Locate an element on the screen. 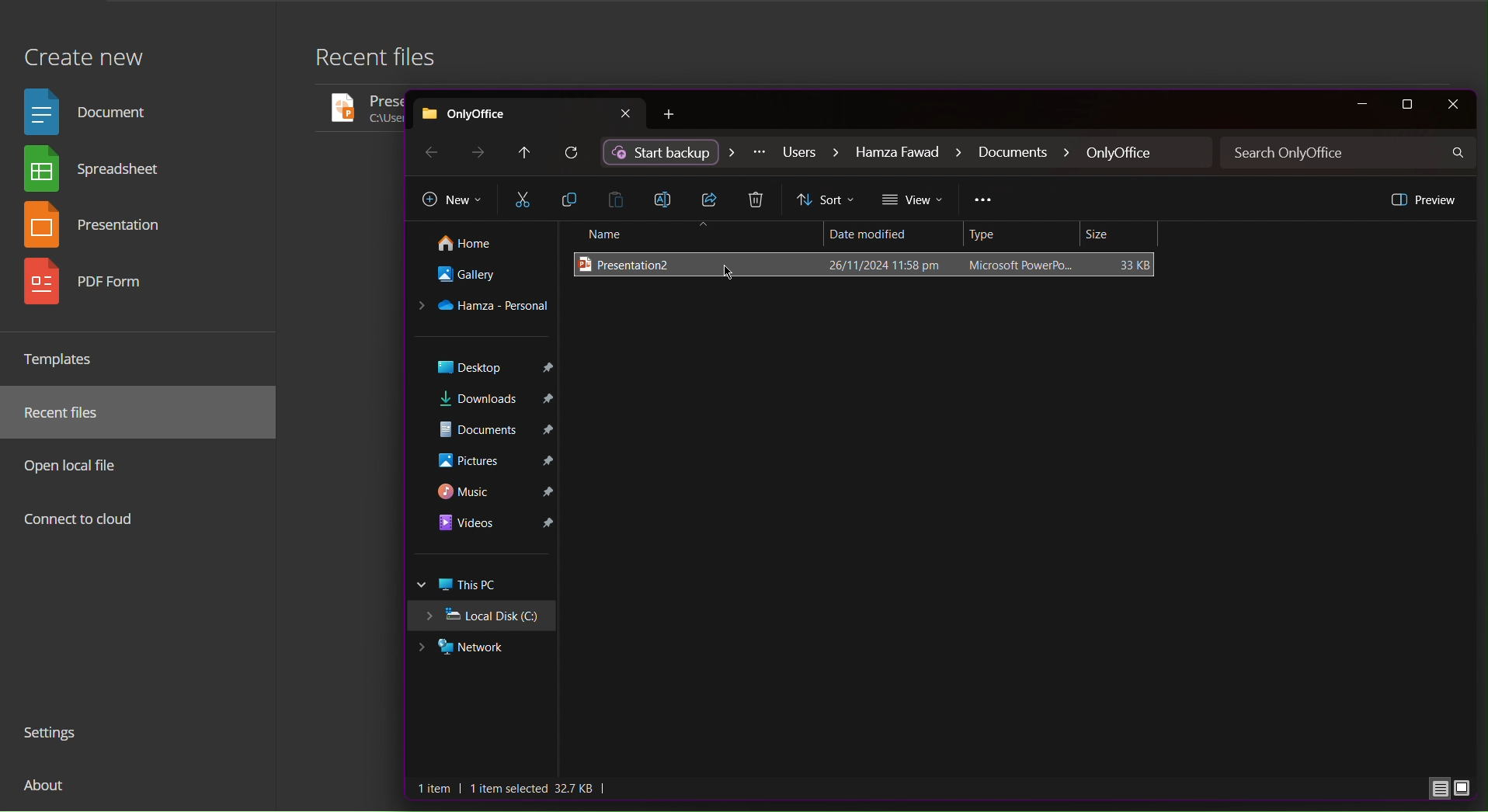 The height and width of the screenshot is (812, 1488). Date modified is located at coordinates (897, 236).